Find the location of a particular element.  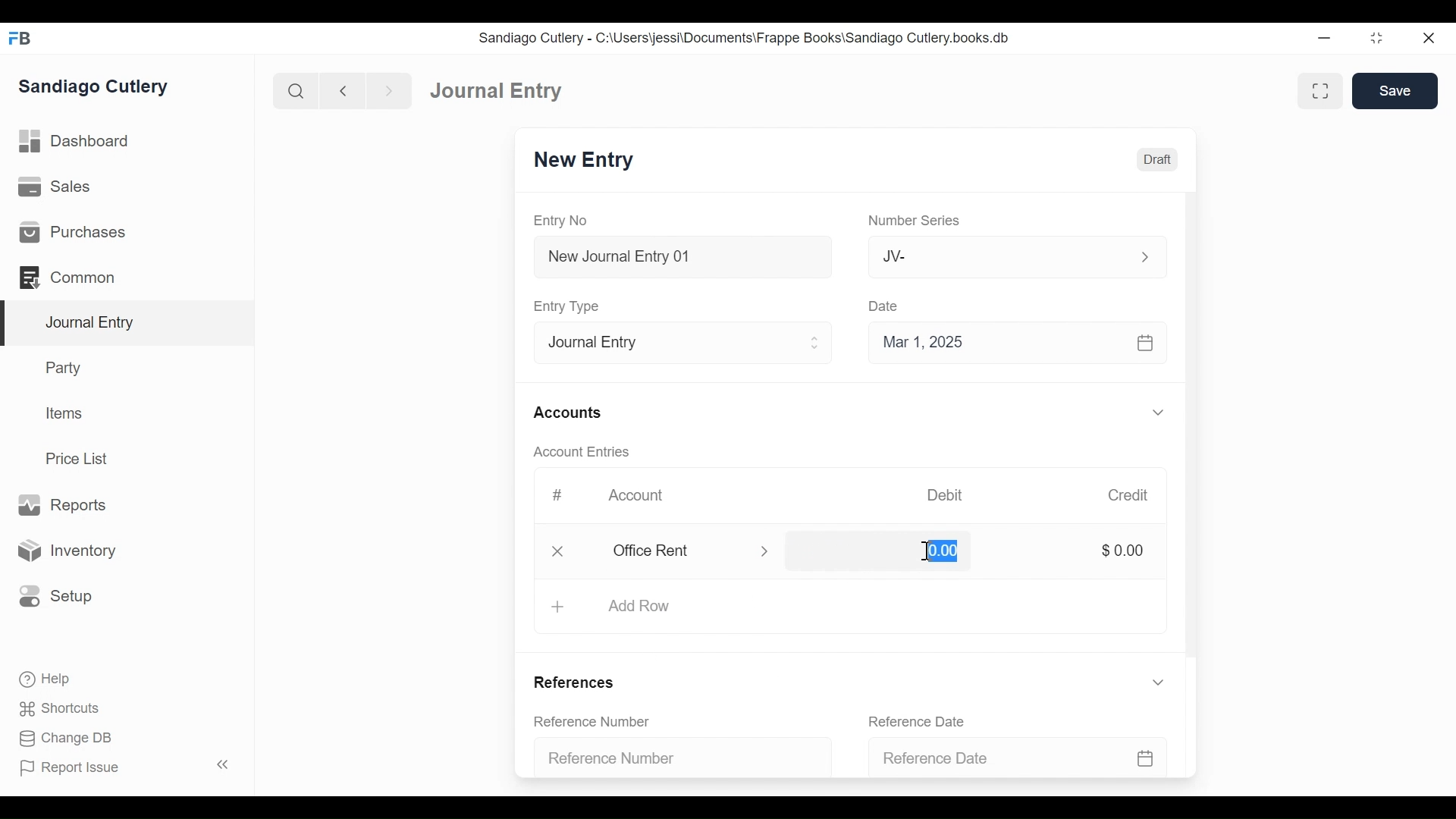

FrappeBooks logo is located at coordinates (19, 38).